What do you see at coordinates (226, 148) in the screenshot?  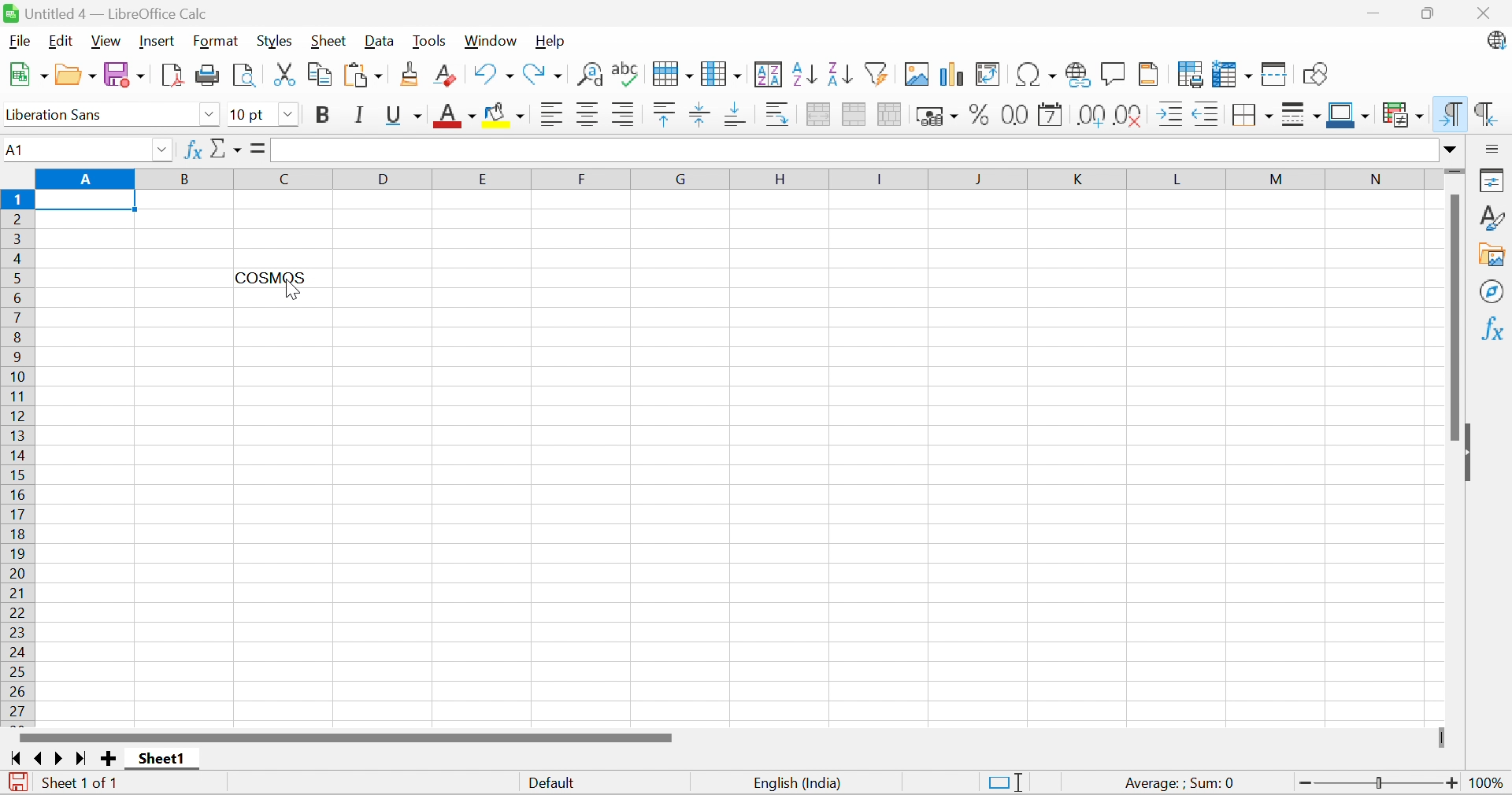 I see `Select Function` at bounding box center [226, 148].